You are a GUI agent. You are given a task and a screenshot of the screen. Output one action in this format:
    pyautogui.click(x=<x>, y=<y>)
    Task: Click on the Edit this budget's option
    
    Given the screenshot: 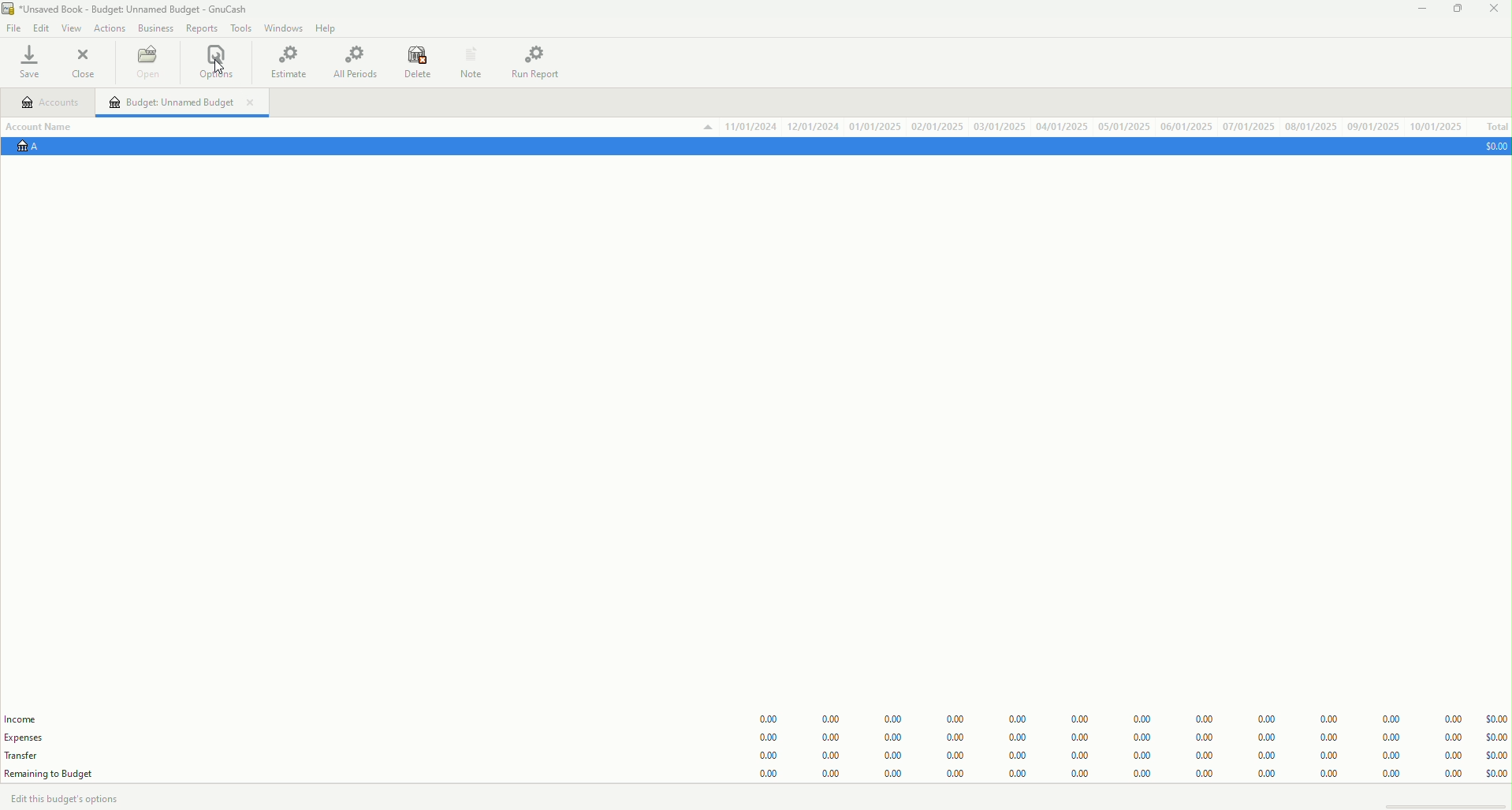 What is the action you would take?
    pyautogui.click(x=79, y=797)
    